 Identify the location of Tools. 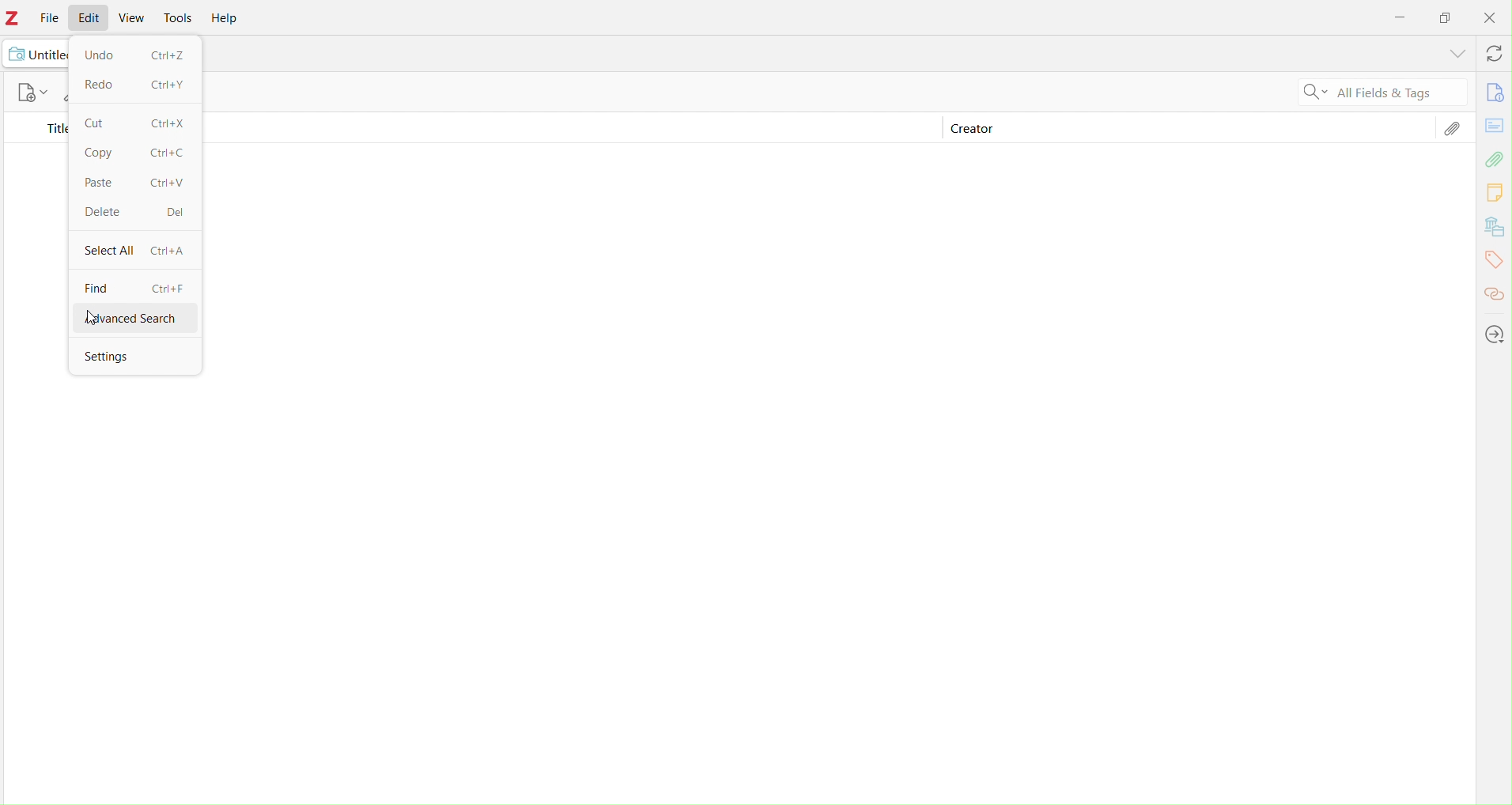
(182, 18).